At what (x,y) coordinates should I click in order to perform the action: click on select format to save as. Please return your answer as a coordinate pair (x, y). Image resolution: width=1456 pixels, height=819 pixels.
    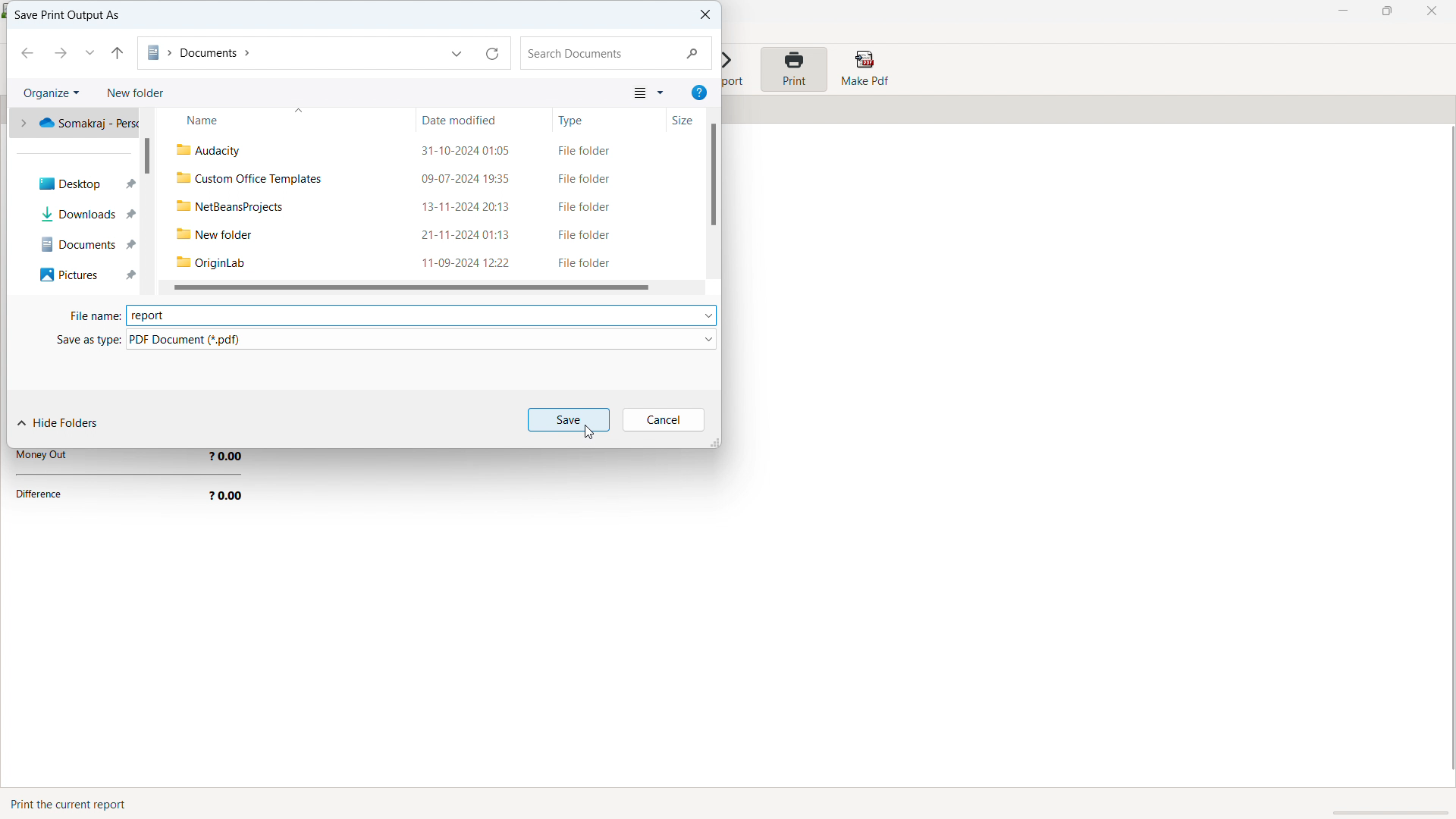
    Looking at the image, I should click on (422, 339).